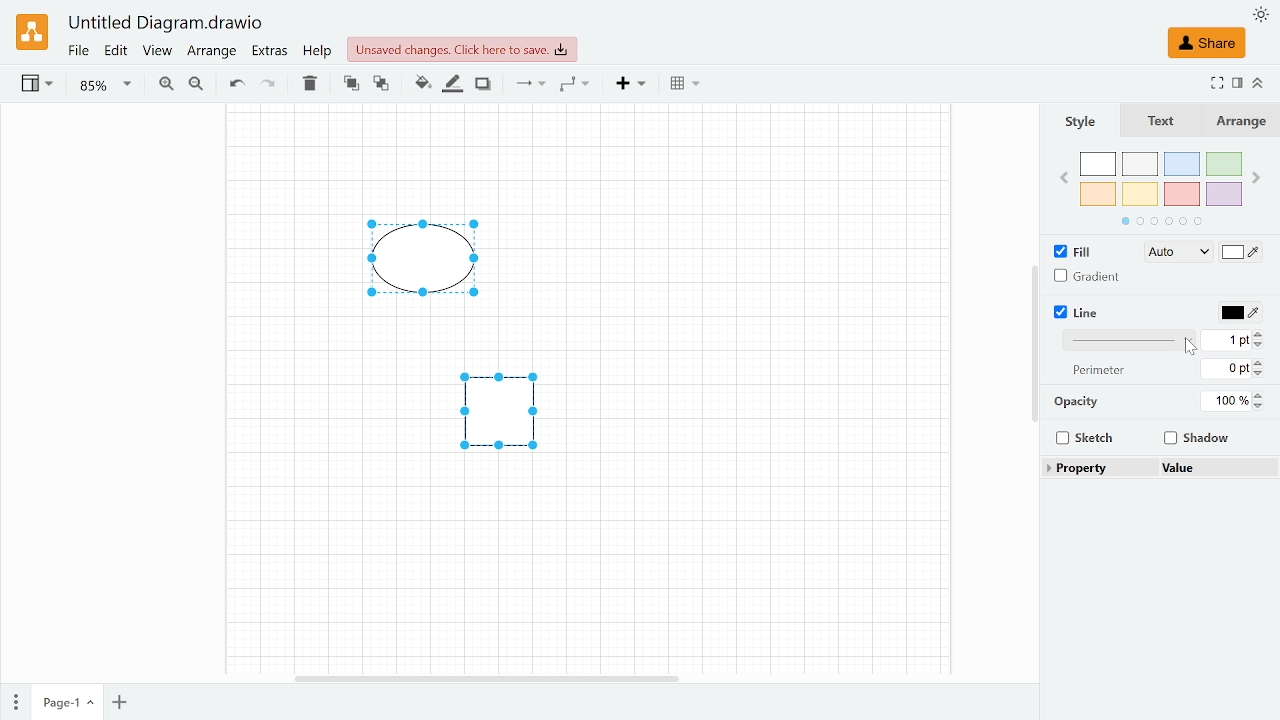 The image size is (1280, 720). What do you see at coordinates (1079, 251) in the screenshot?
I see `` at bounding box center [1079, 251].